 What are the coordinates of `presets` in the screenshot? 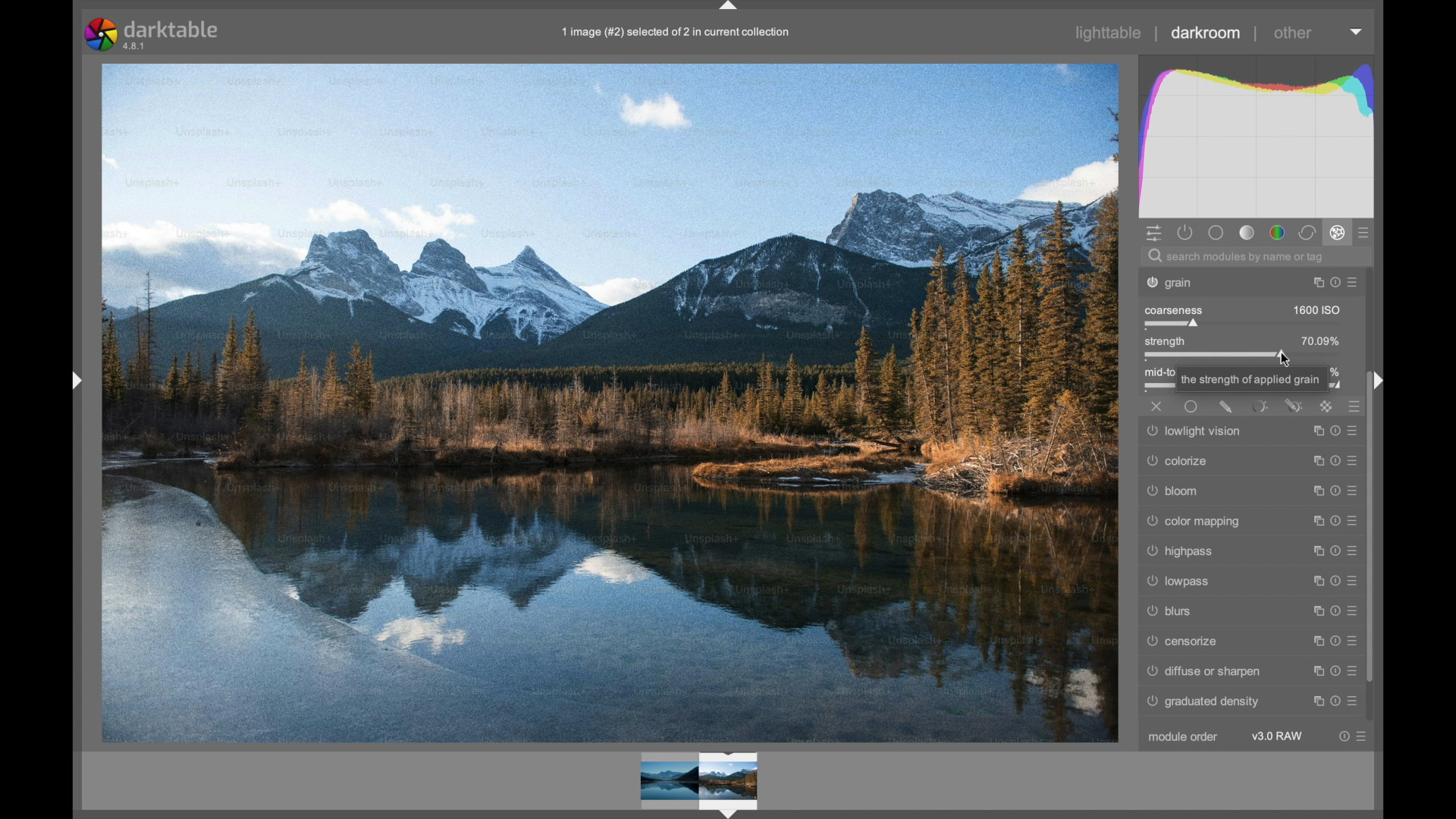 It's located at (1351, 551).